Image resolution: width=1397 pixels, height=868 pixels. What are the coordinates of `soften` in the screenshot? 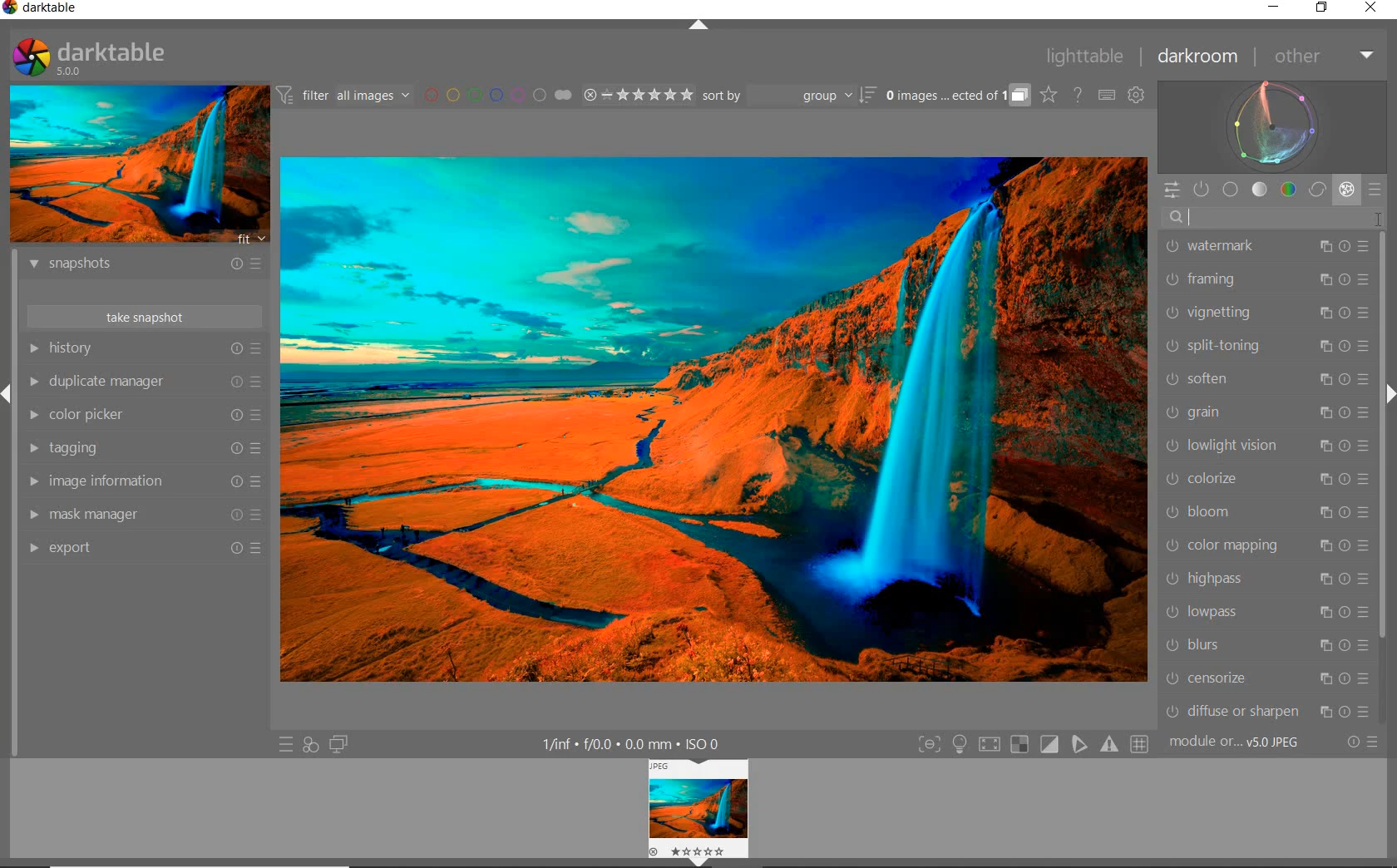 It's located at (1267, 379).